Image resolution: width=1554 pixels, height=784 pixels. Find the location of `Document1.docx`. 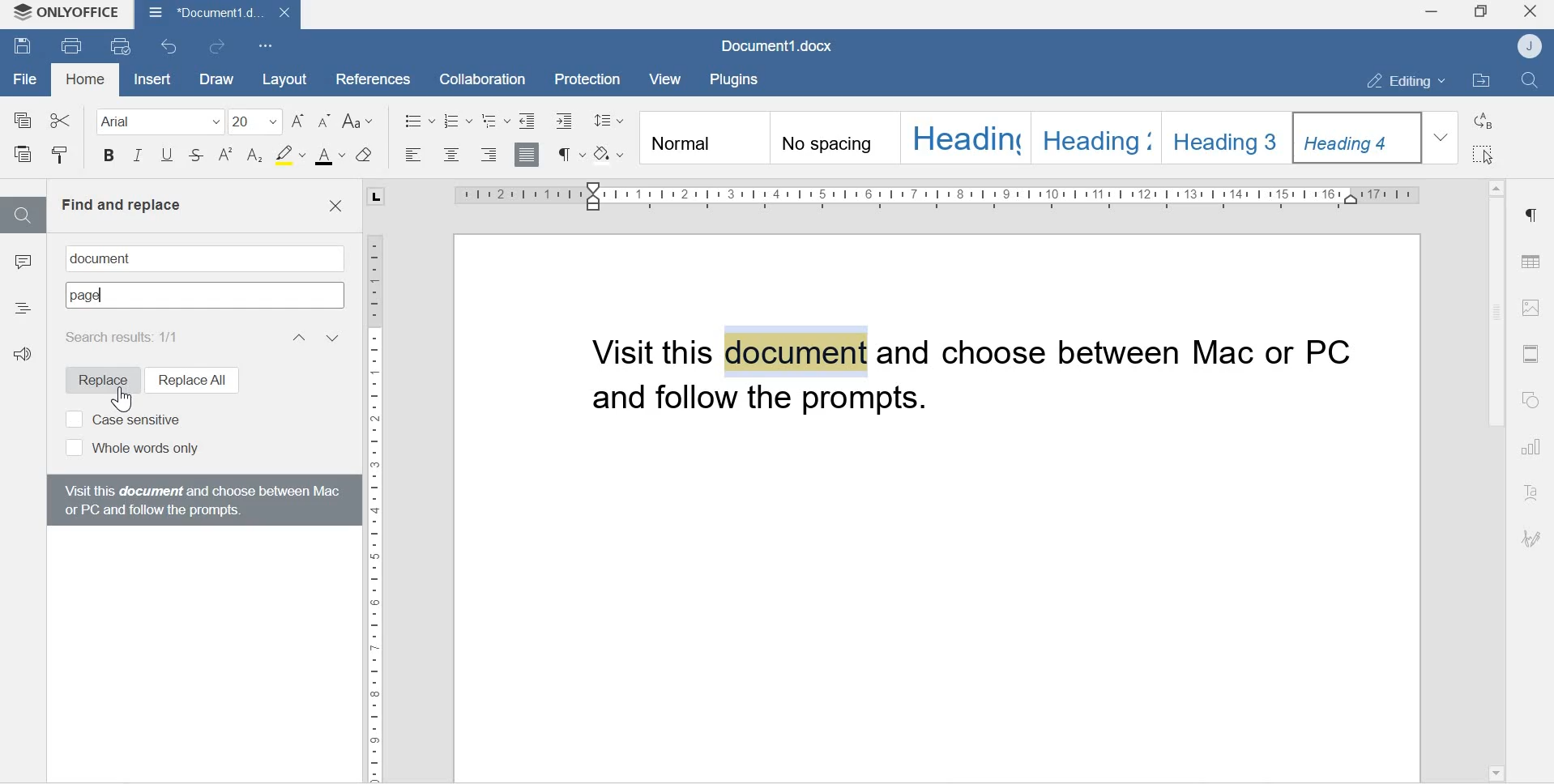

Document1.docx is located at coordinates (216, 14).